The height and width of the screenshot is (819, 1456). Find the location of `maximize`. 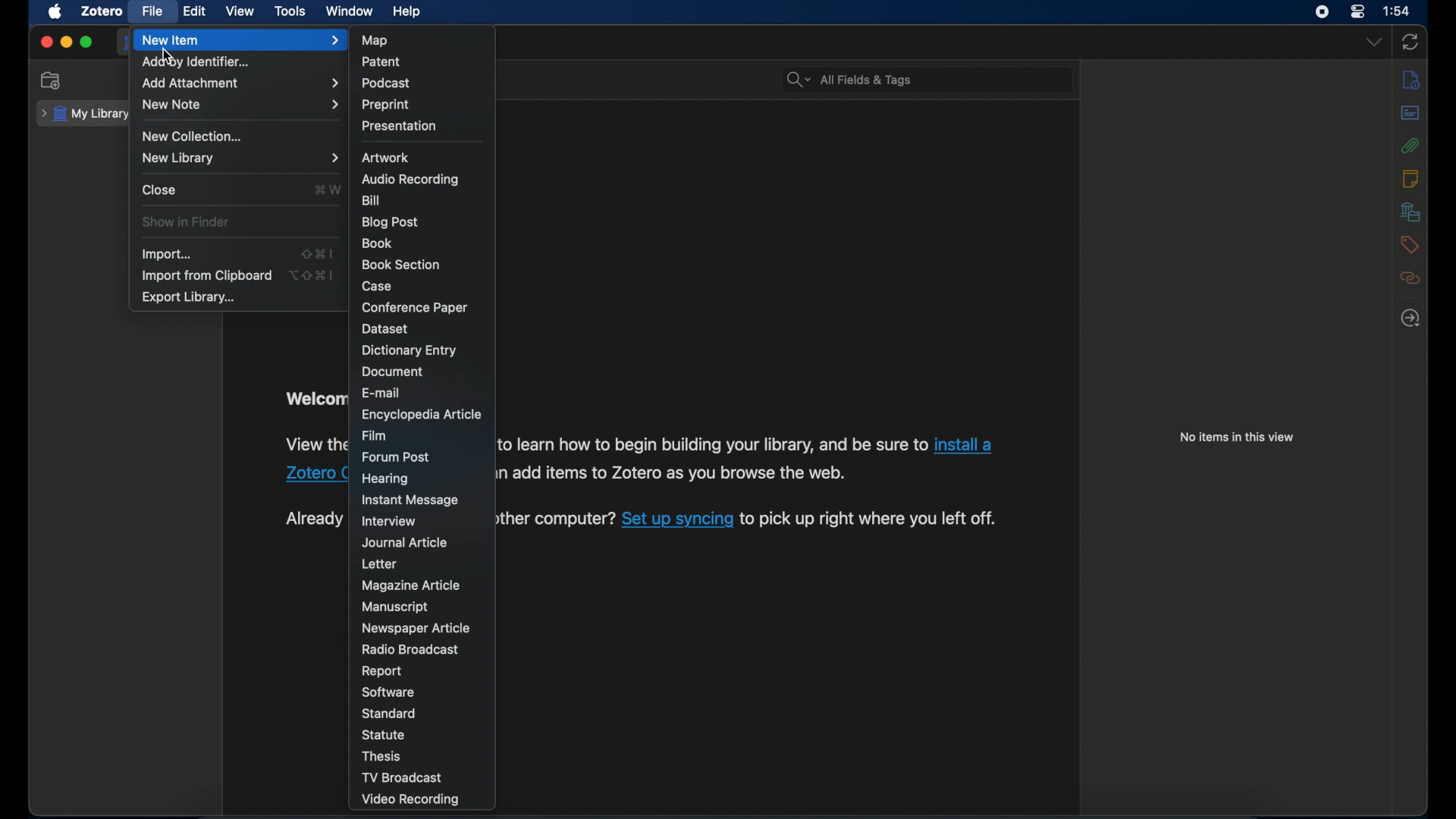

maximize is located at coordinates (86, 42).